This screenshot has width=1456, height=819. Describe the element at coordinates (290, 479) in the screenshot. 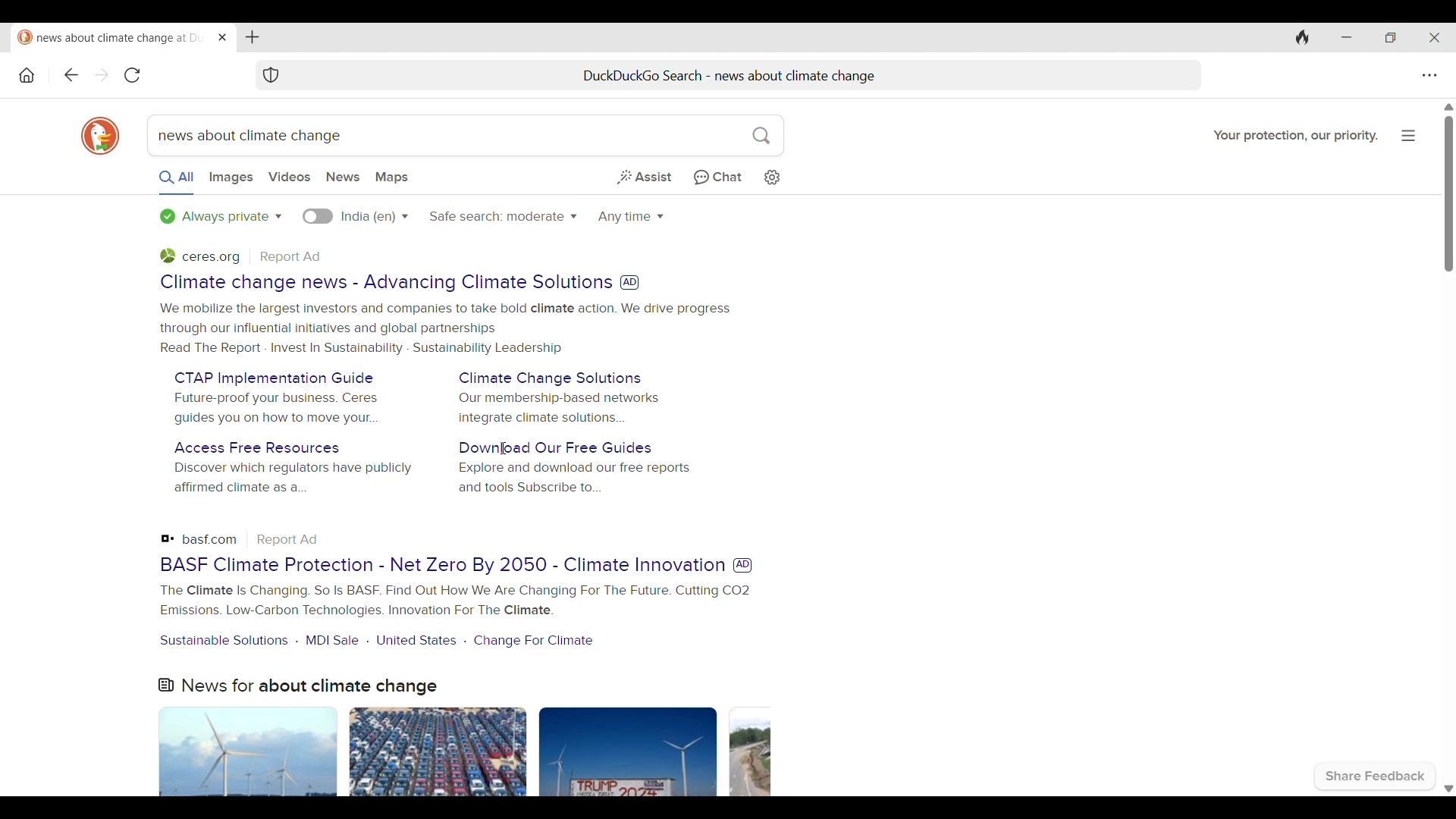

I see `Discover which regulators are publicly affirmed climate as a ` at that location.